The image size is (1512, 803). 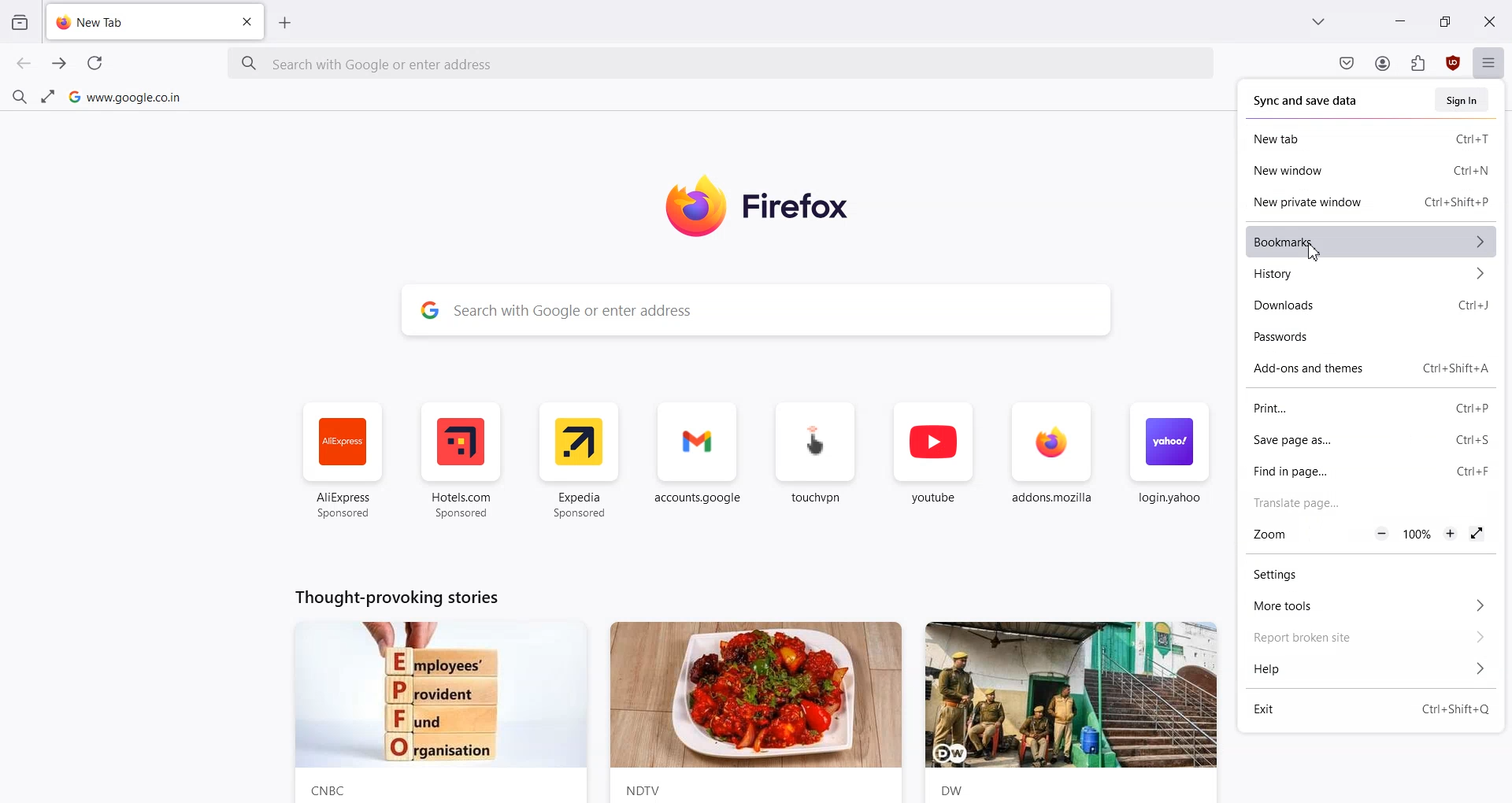 What do you see at coordinates (1320, 21) in the screenshot?
I see `List all tab` at bounding box center [1320, 21].